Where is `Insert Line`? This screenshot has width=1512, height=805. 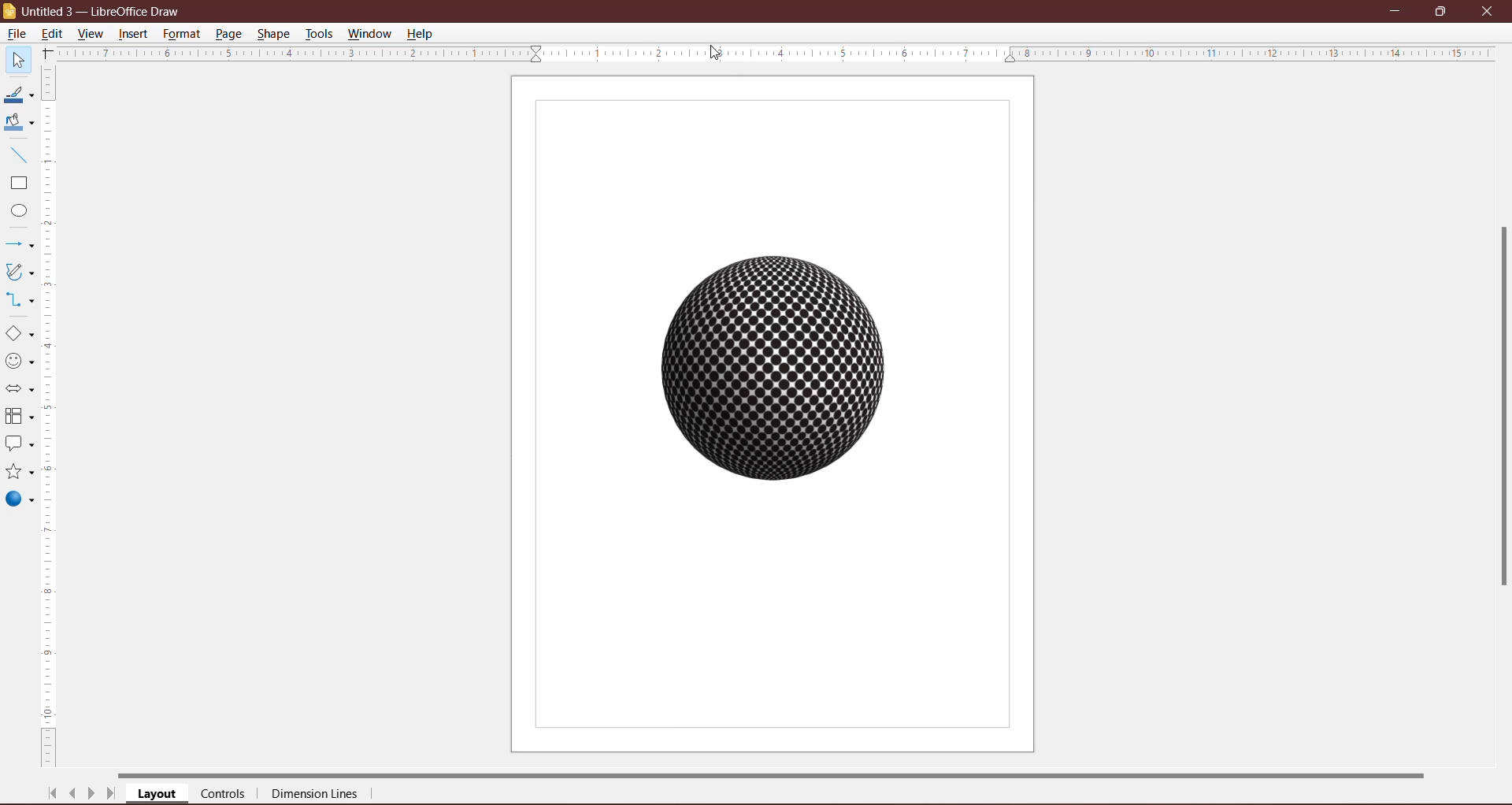 Insert Line is located at coordinates (17, 154).